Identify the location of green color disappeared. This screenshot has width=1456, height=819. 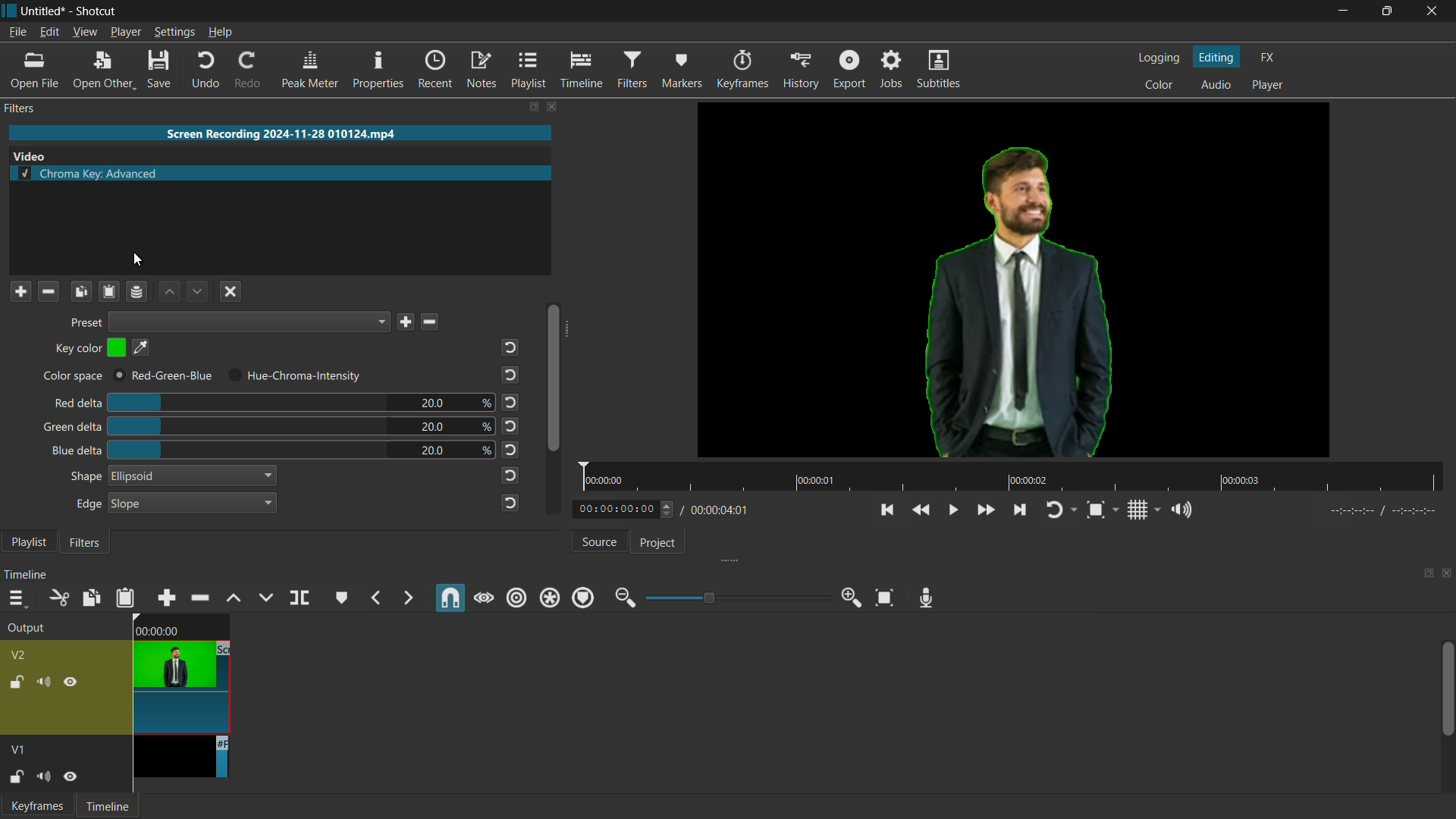
(1014, 278).